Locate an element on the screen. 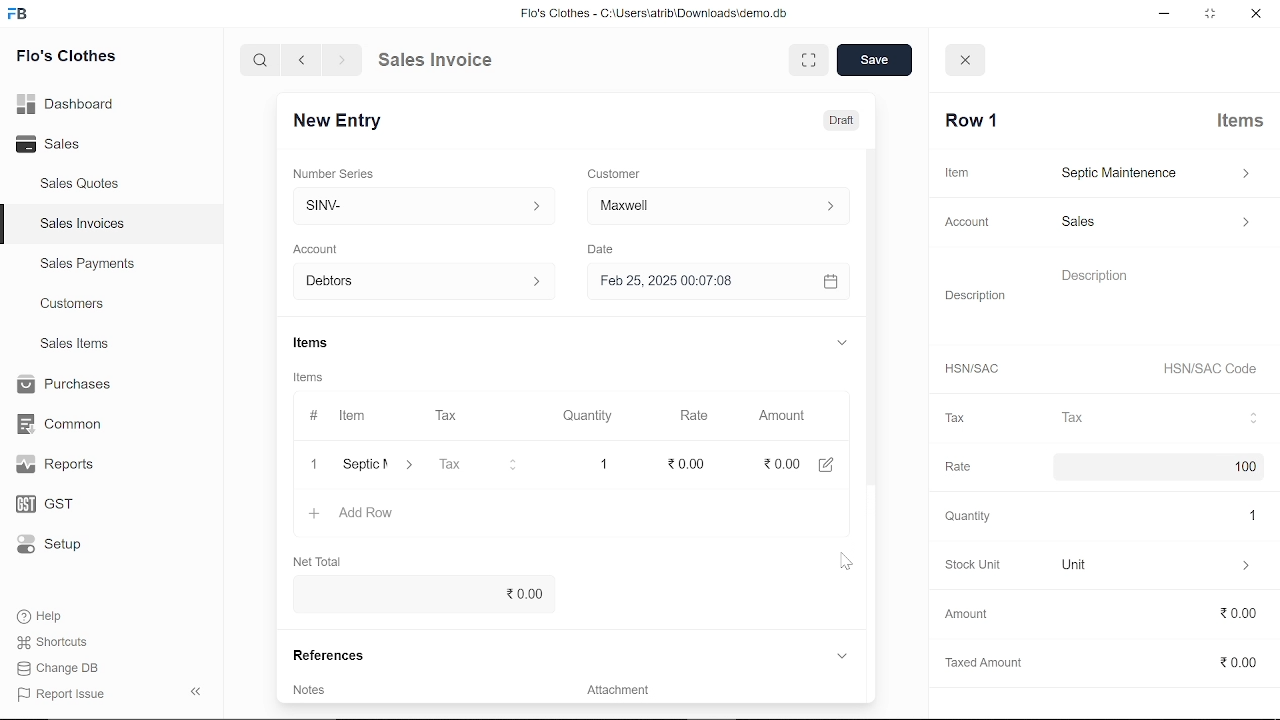 The width and height of the screenshot is (1280, 720). close is located at coordinates (967, 61).